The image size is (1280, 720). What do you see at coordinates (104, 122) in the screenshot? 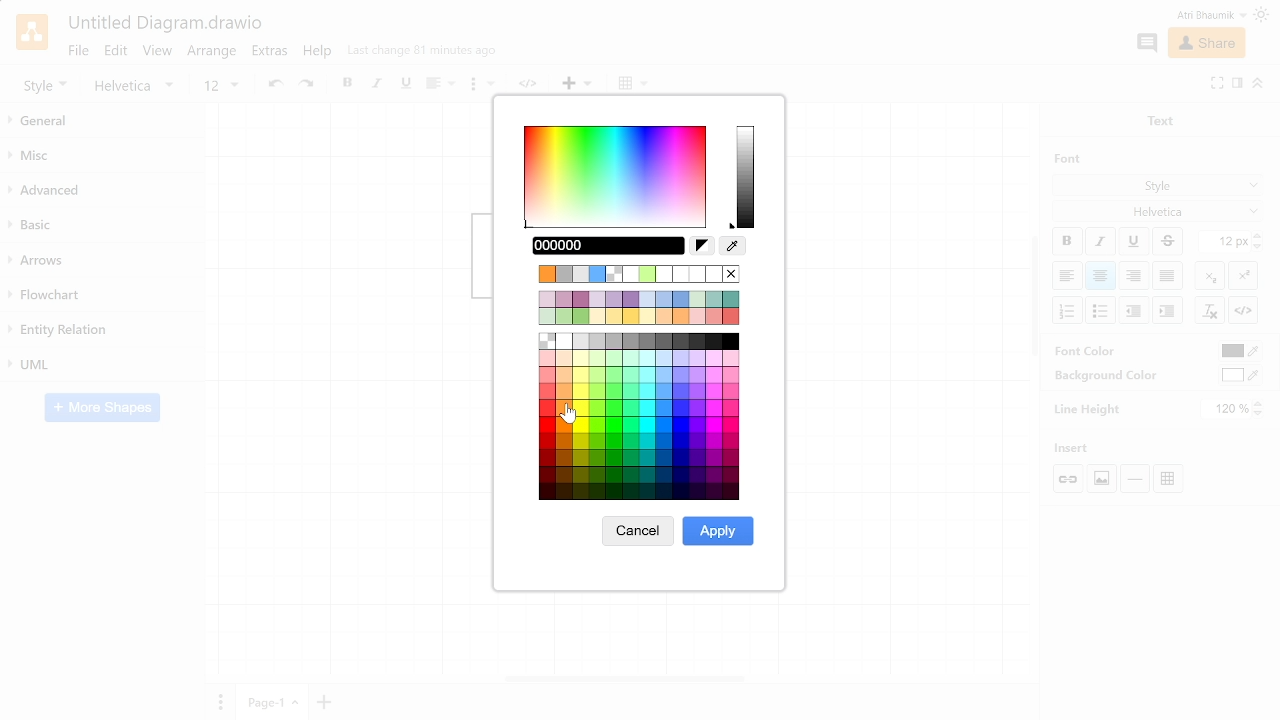
I see `general` at bounding box center [104, 122].